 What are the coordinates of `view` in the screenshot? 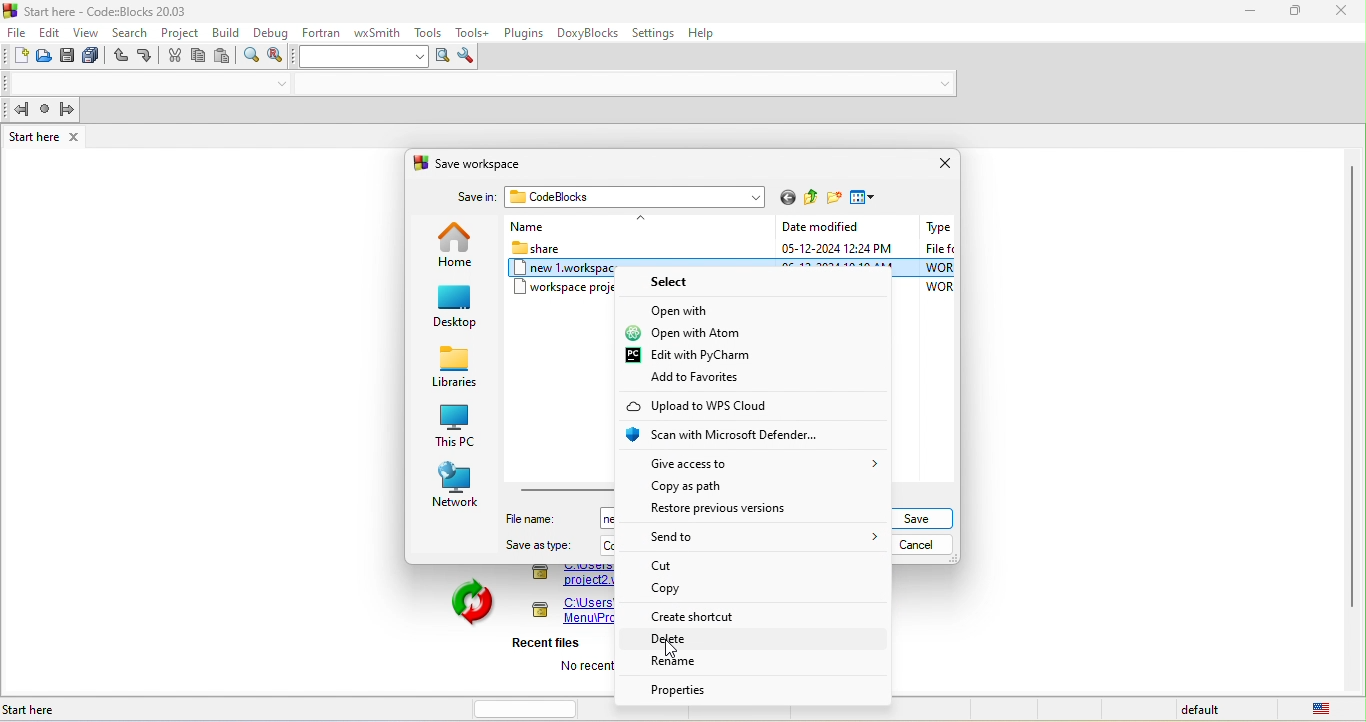 It's located at (86, 32).